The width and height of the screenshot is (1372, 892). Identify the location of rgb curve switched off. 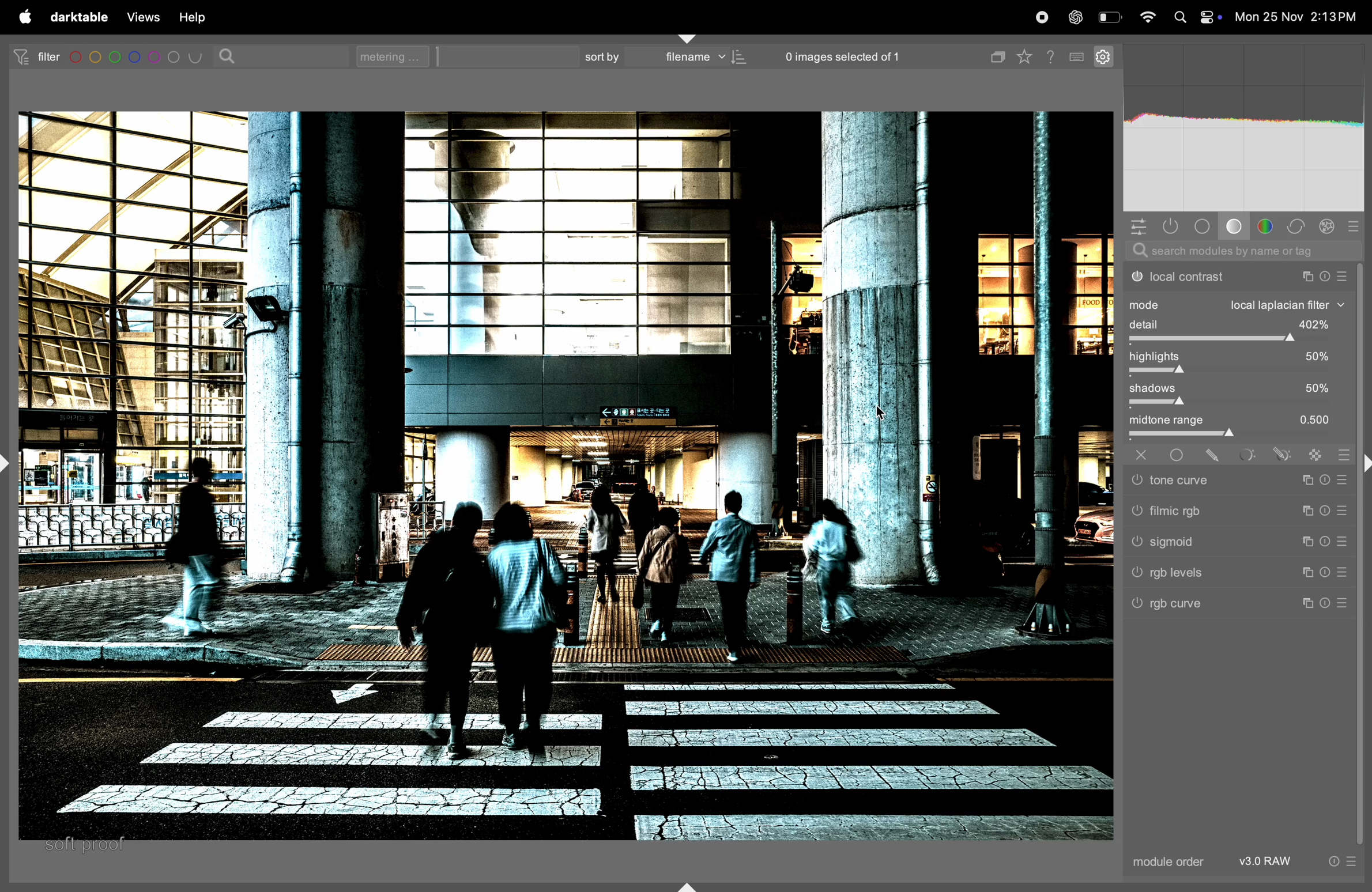
(1139, 605).